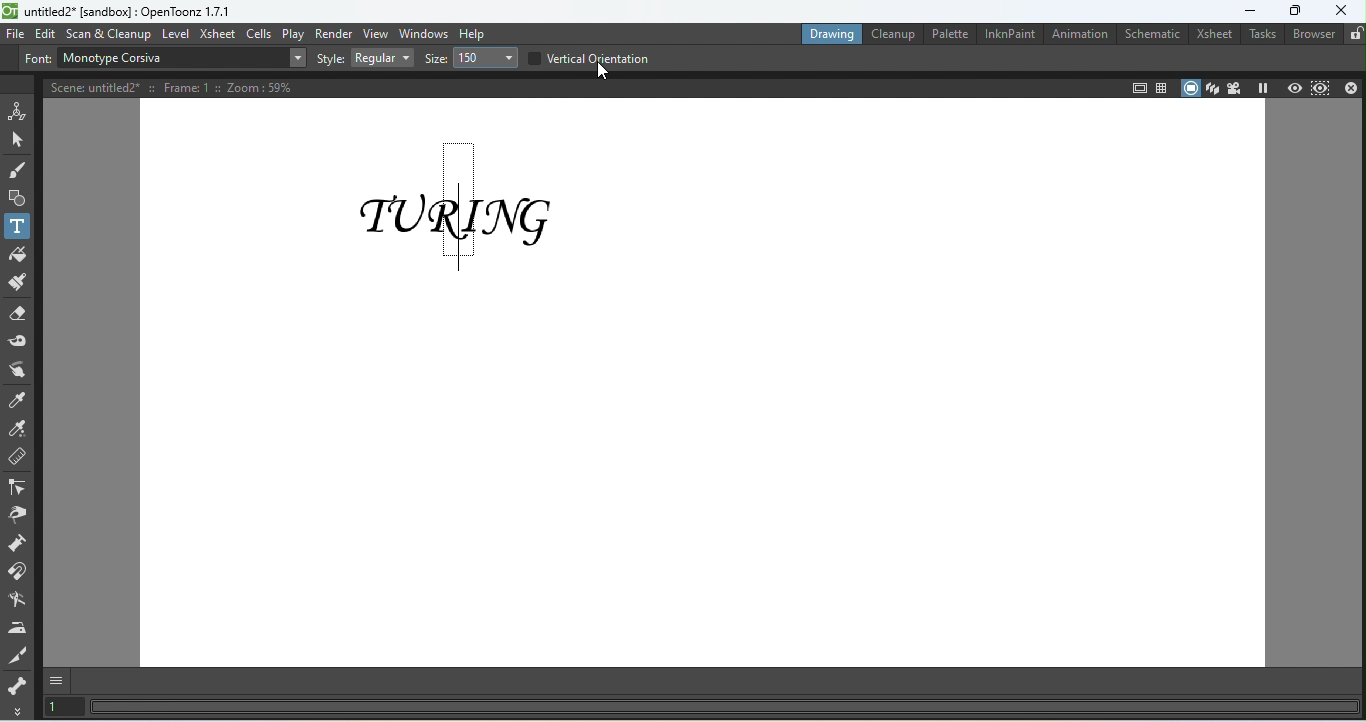 This screenshot has height=722, width=1366. What do you see at coordinates (217, 34) in the screenshot?
I see `Xsheet` at bounding box center [217, 34].